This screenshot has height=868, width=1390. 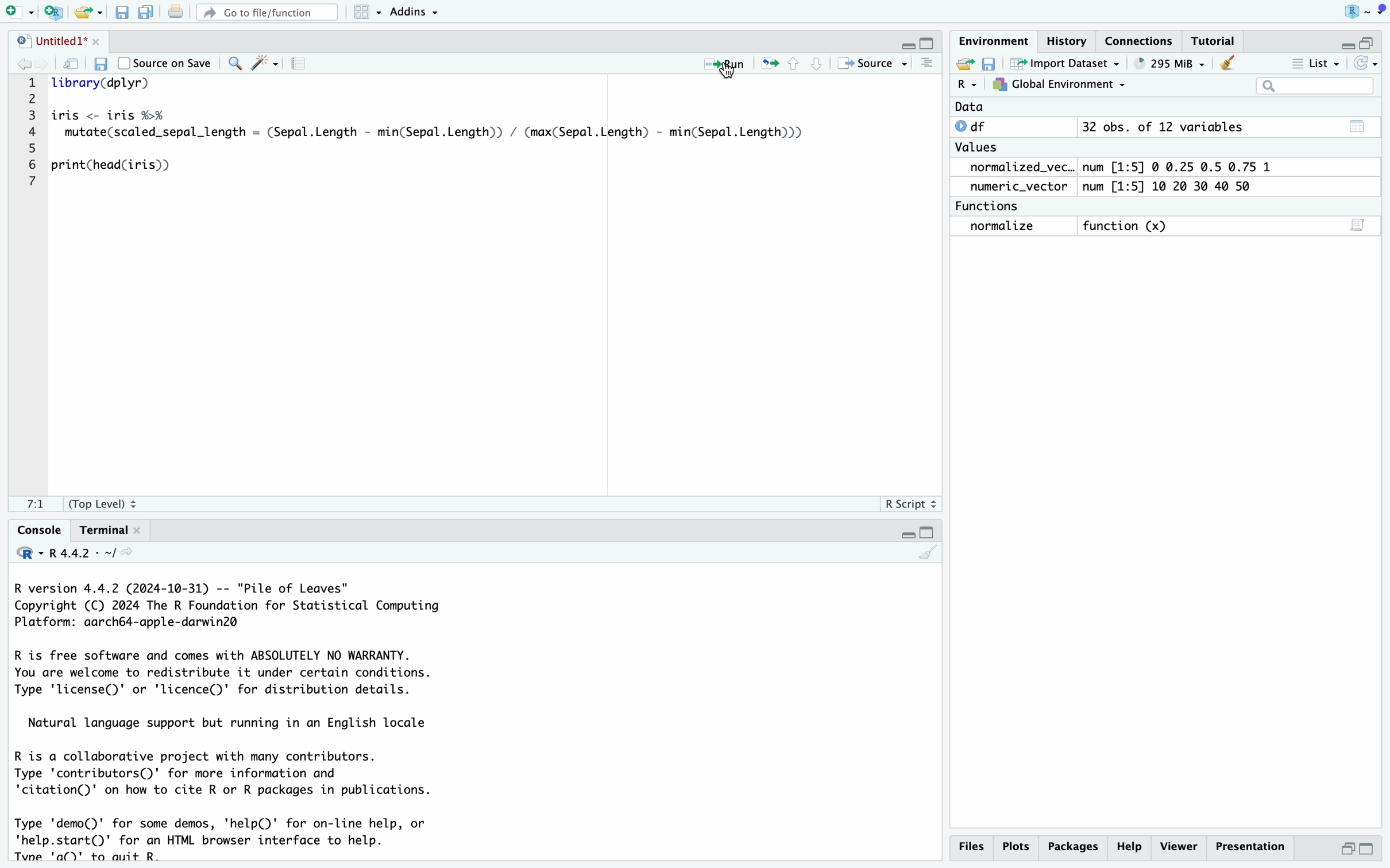 I want to click on Save, so click(x=122, y=13).